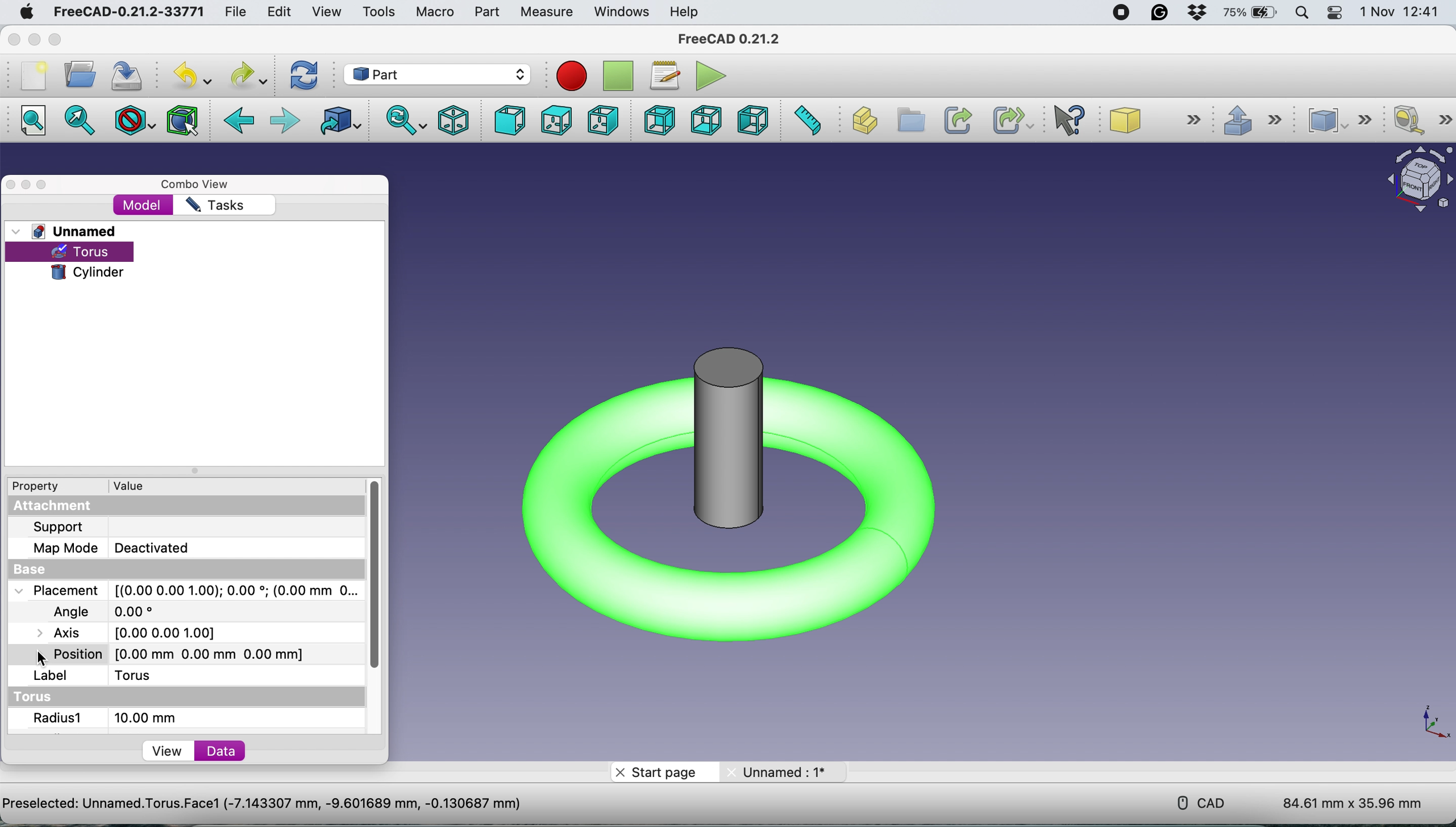 The image size is (1456, 827). I want to click on project name with torus selected co ordinates, so click(291, 800).